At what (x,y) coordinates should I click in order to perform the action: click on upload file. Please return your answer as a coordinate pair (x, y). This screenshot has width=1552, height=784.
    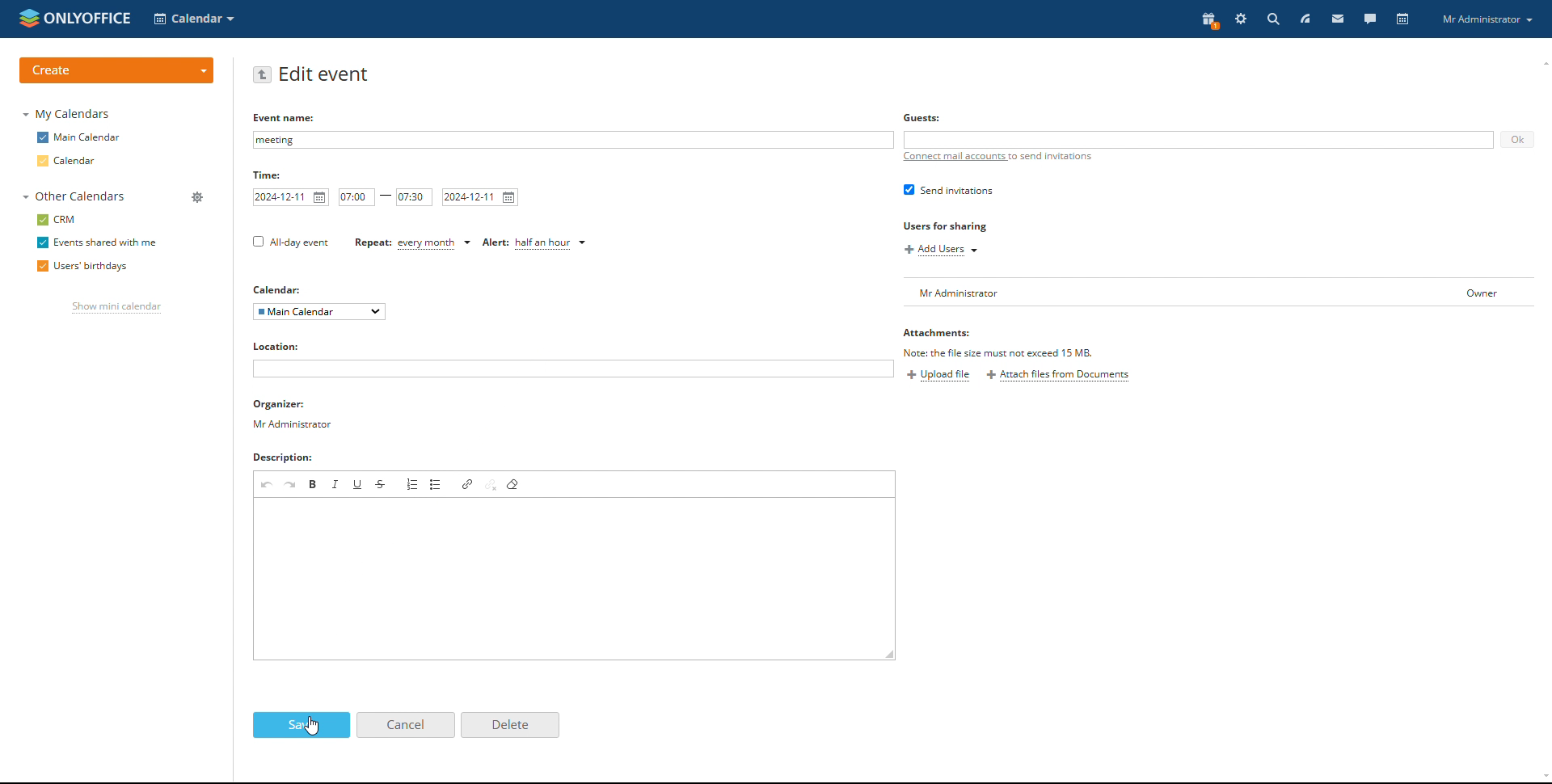
    Looking at the image, I should click on (940, 376).